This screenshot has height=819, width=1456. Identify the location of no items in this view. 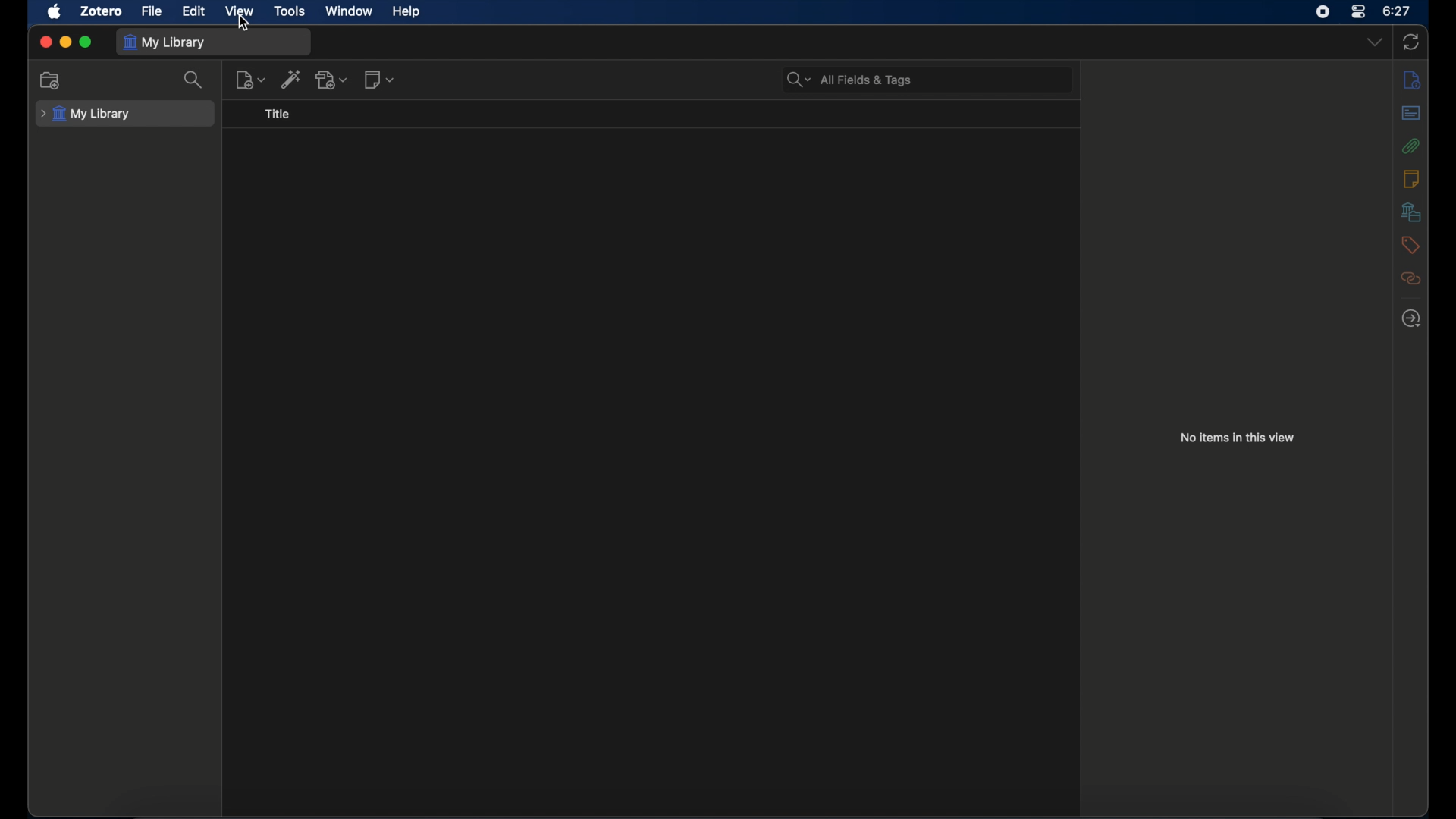
(1241, 437).